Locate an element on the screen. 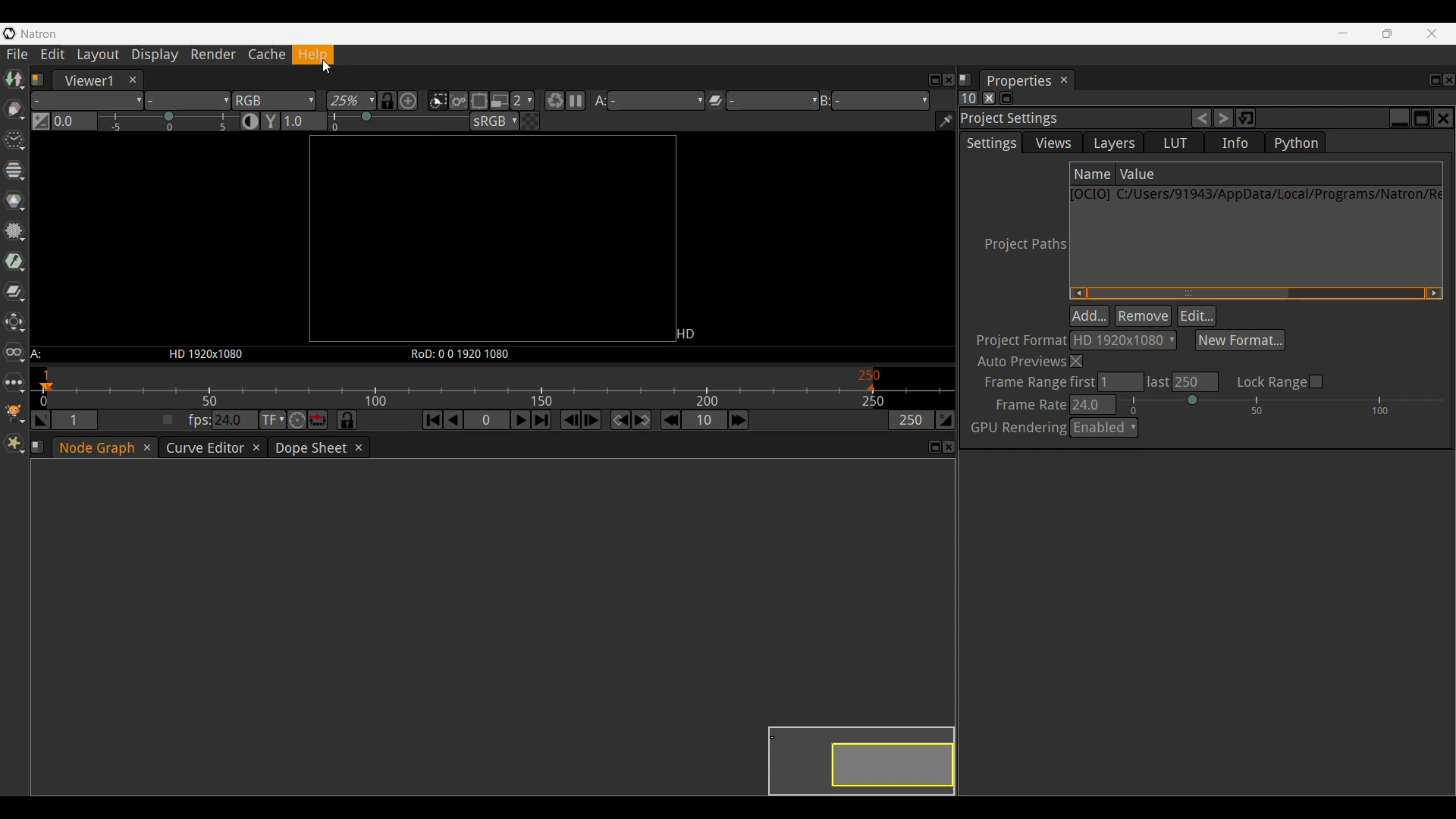 The width and height of the screenshot is (1456, 819). Minimize/Maximize all panels is located at coordinates (1006, 98).